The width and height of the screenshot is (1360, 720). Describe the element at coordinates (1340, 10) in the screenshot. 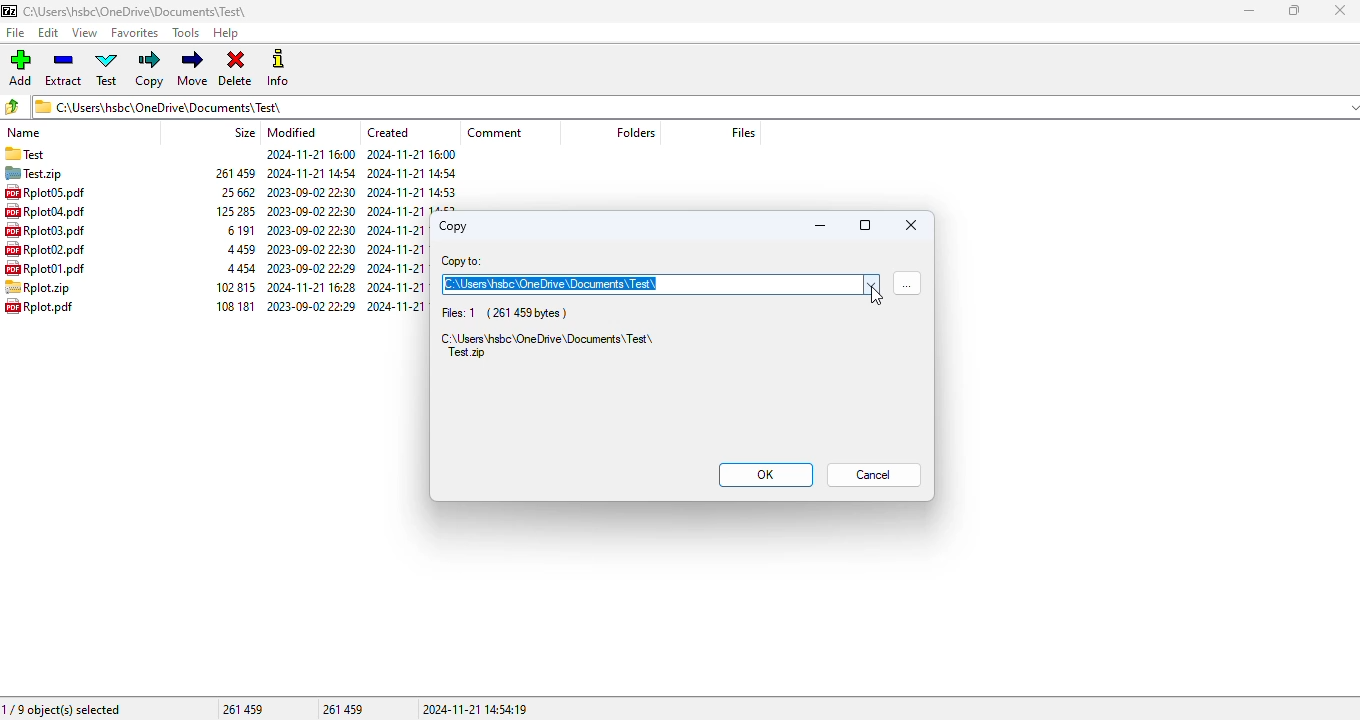

I see `close` at that location.